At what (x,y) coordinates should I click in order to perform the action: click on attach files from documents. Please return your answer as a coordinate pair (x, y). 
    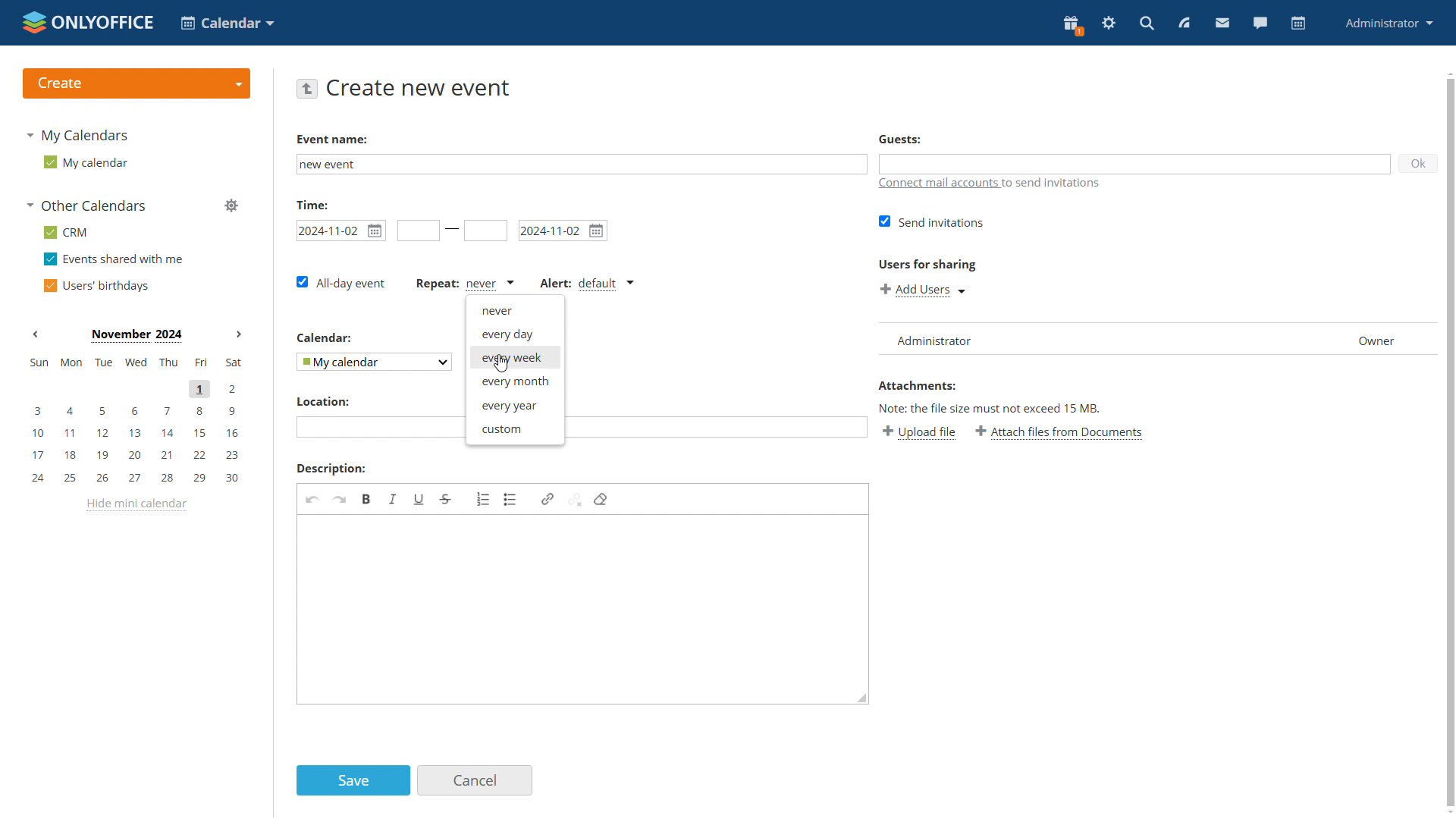
    Looking at the image, I should click on (1062, 433).